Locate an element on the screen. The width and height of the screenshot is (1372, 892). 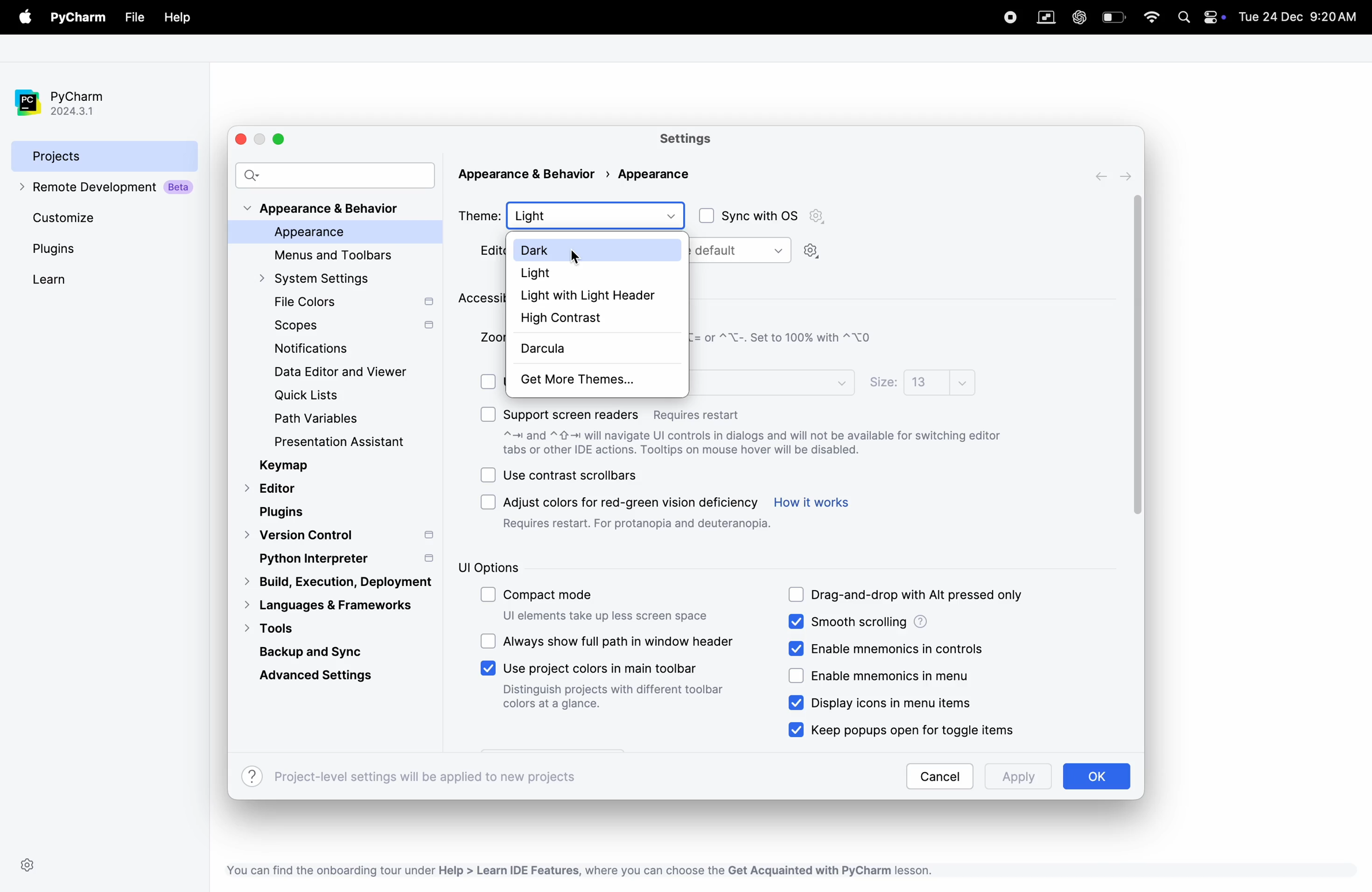
chatgpt is located at coordinates (1078, 17).